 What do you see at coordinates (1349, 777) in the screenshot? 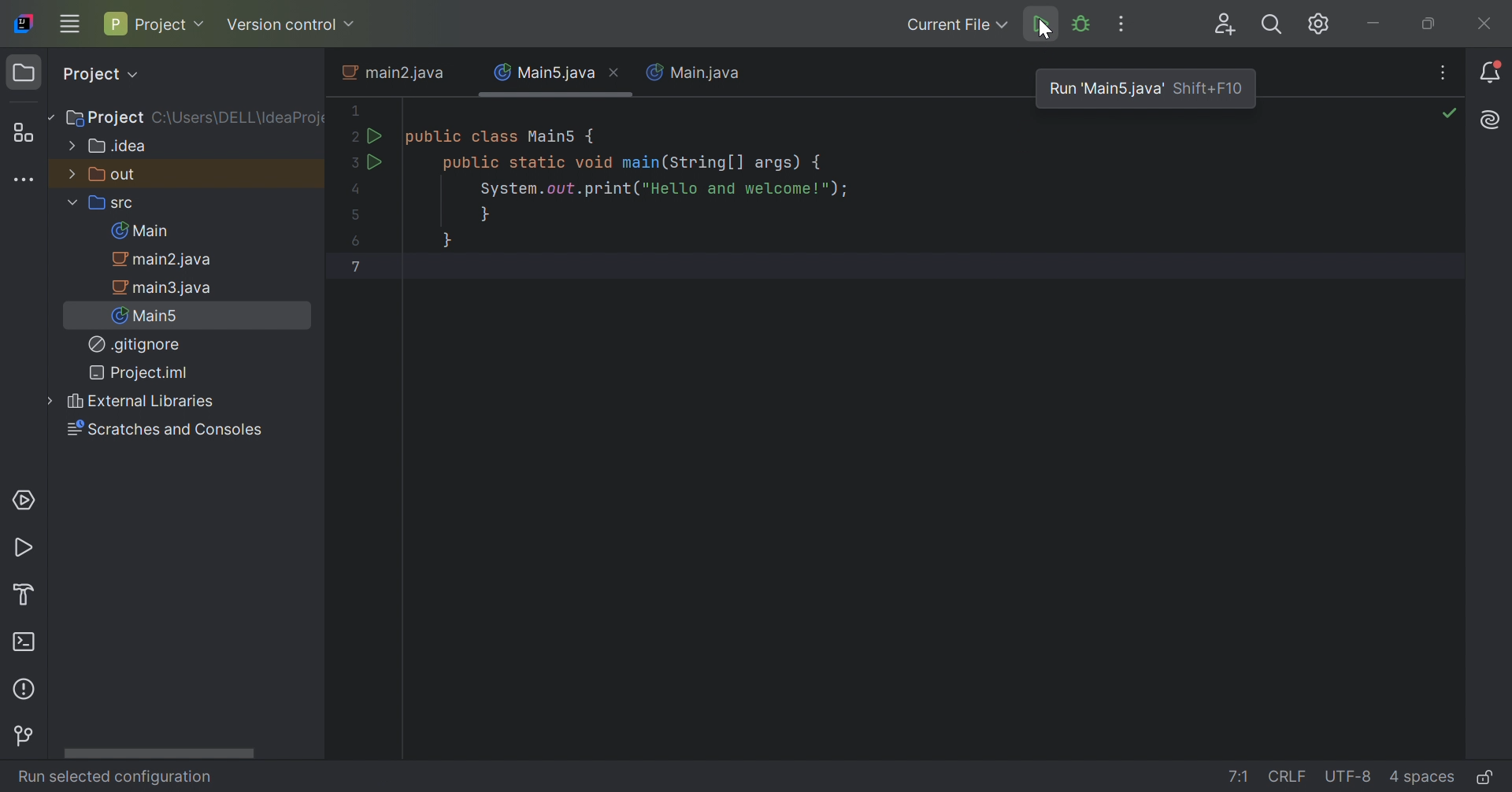
I see `UTF-8` at bounding box center [1349, 777].